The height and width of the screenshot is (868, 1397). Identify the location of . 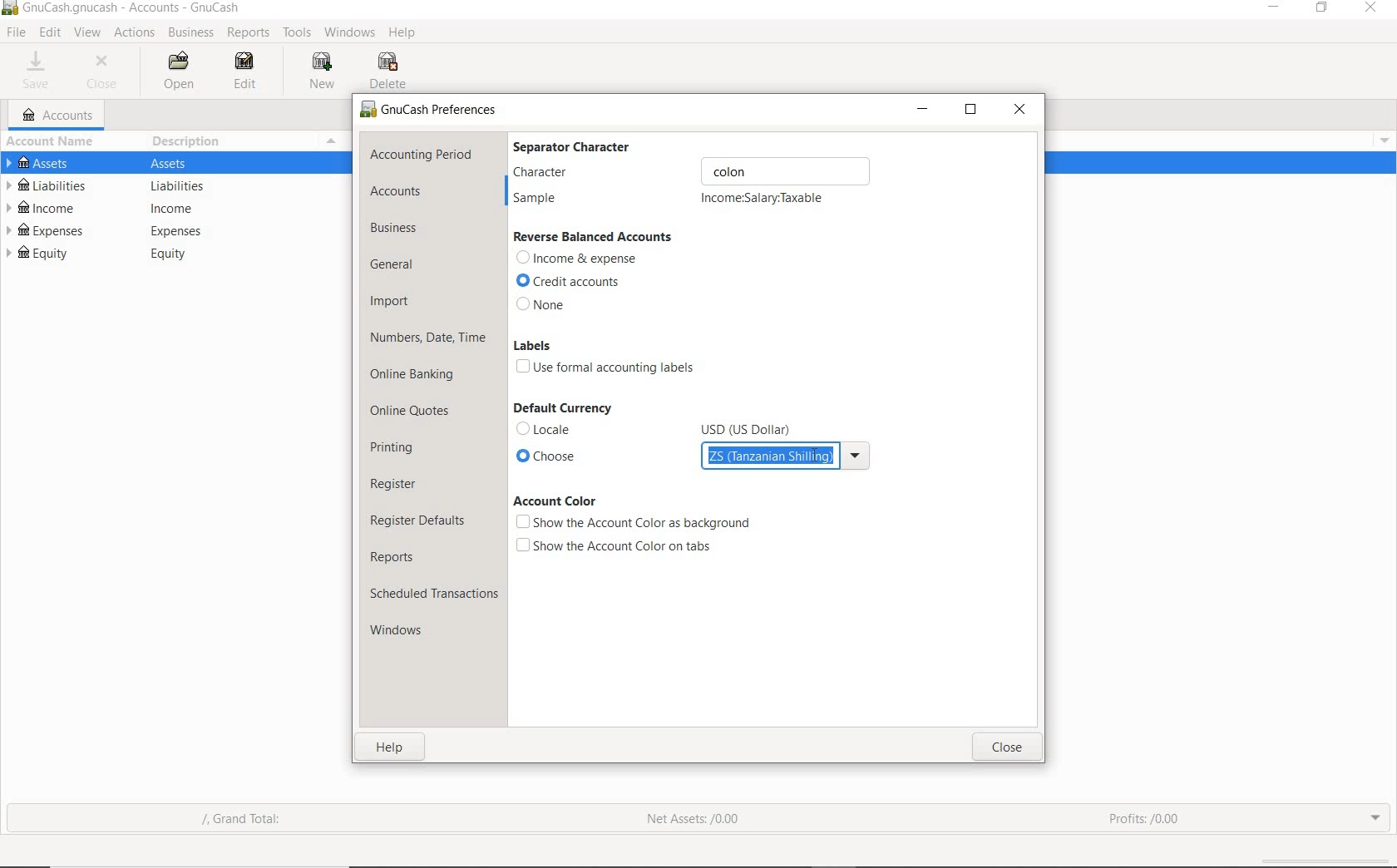
(1385, 140).